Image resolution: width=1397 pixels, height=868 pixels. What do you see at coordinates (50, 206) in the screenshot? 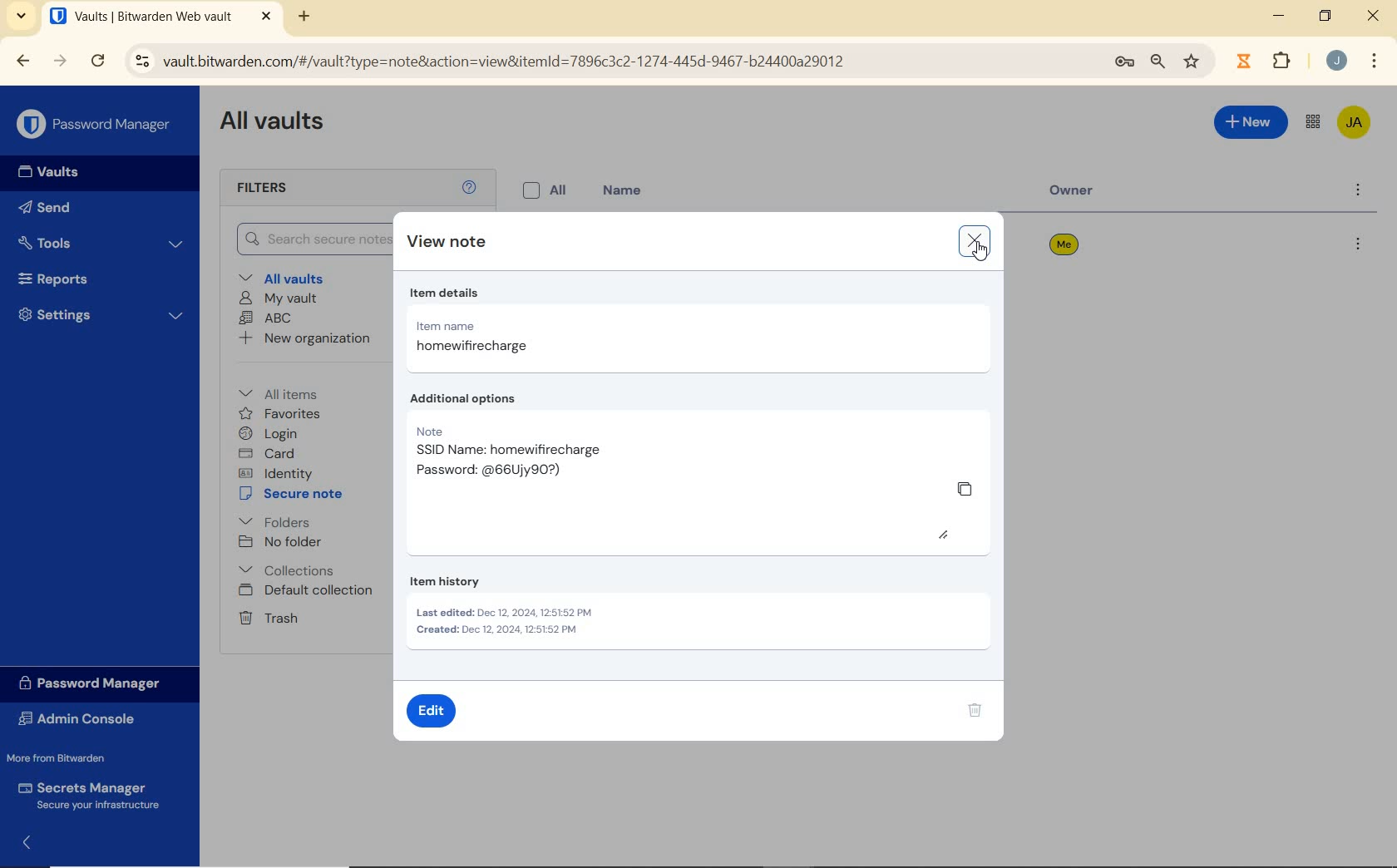
I see `Send` at bounding box center [50, 206].